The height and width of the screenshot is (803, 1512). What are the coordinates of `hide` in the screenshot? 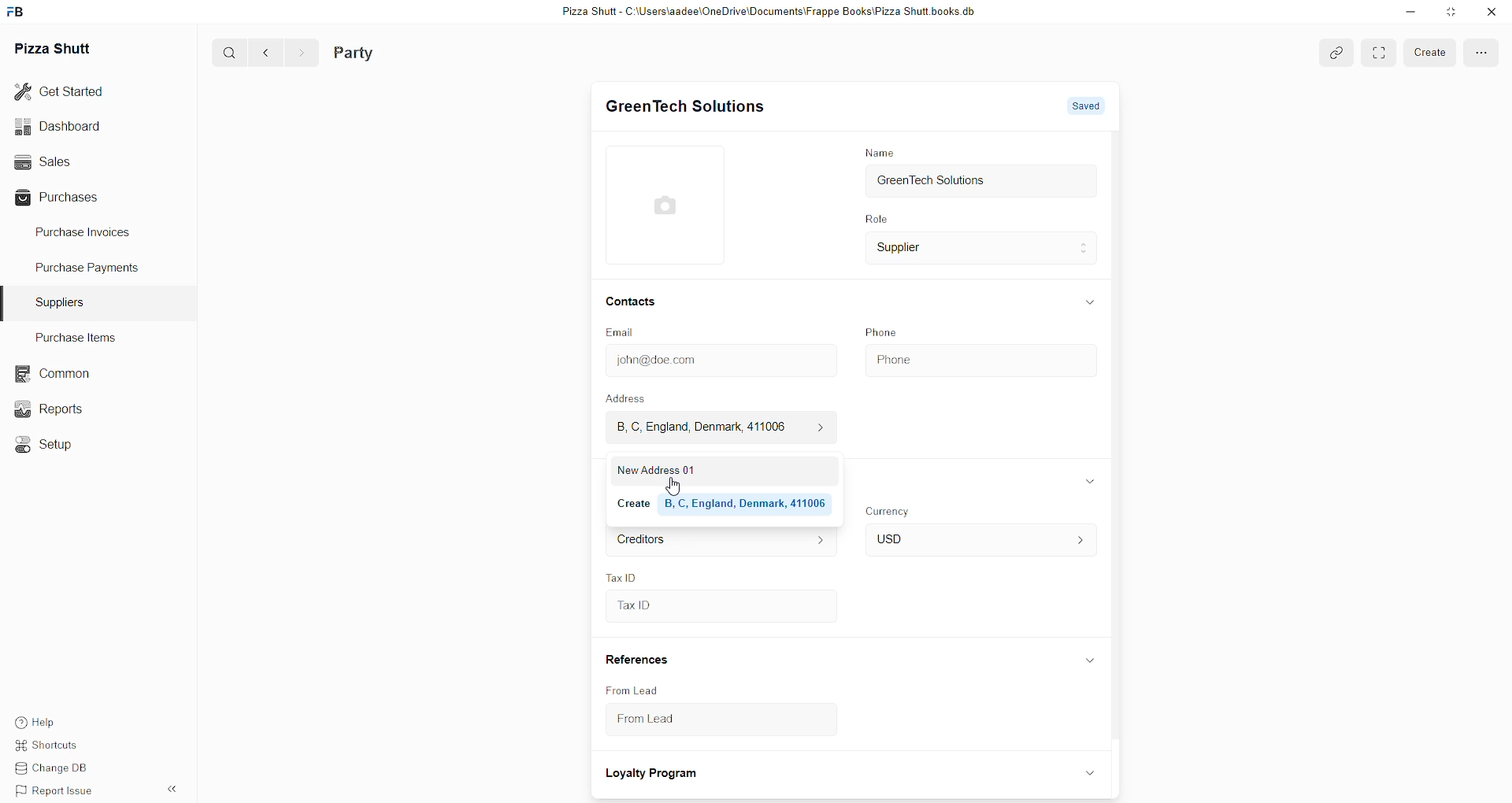 It's located at (1088, 661).